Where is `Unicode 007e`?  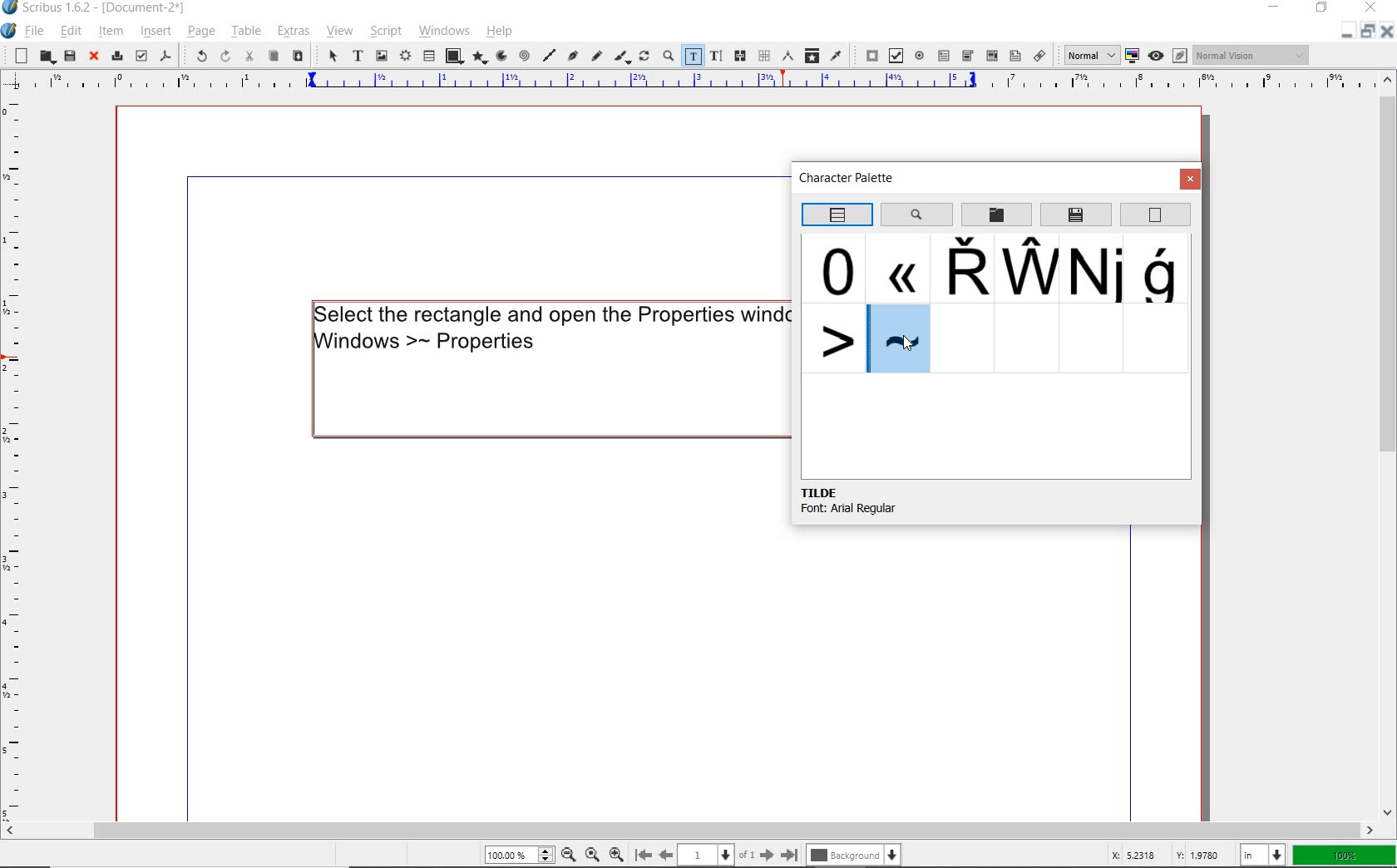
Unicode 007e is located at coordinates (901, 340).